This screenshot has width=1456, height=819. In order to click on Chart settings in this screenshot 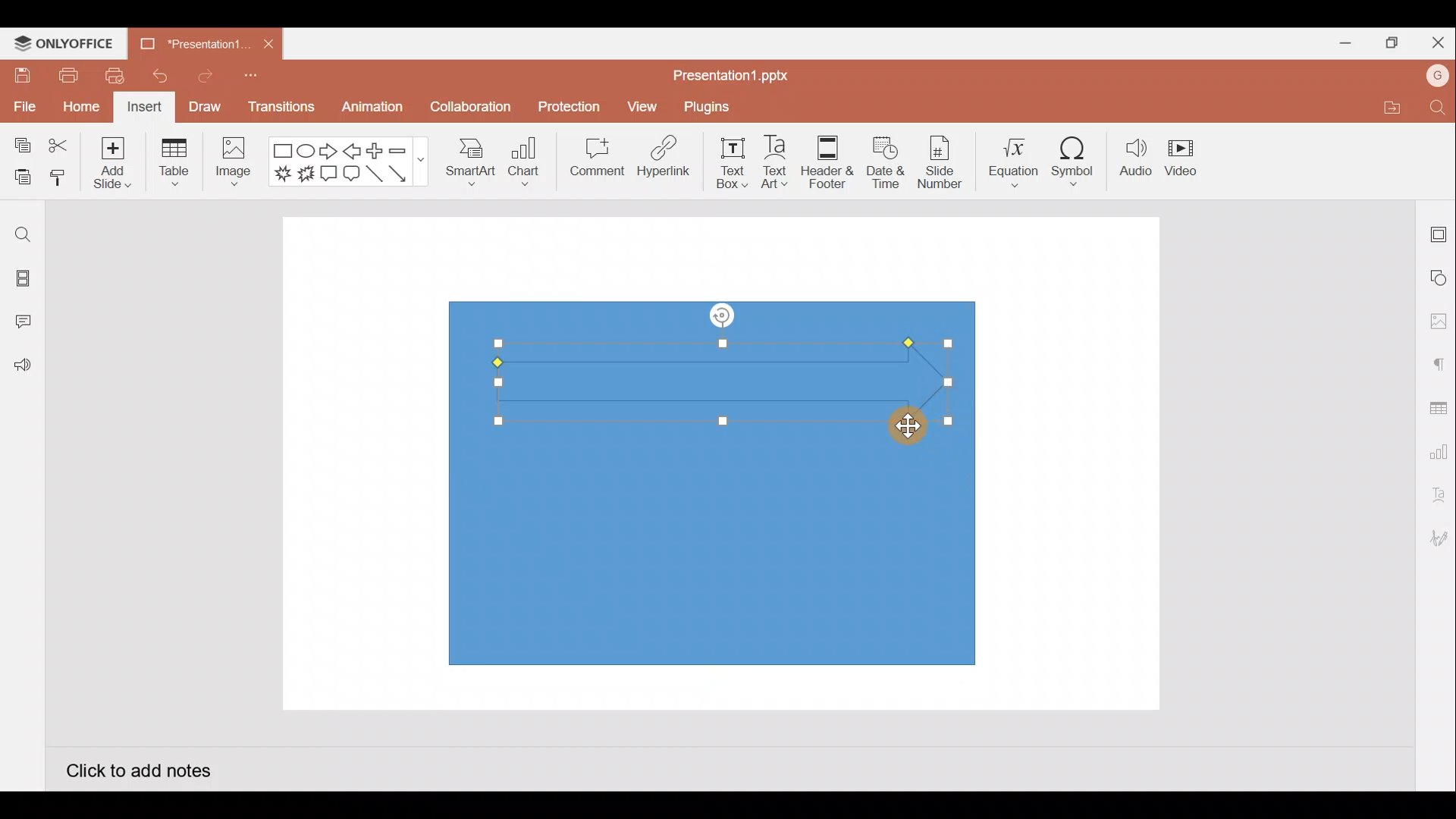, I will do `click(1436, 449)`.